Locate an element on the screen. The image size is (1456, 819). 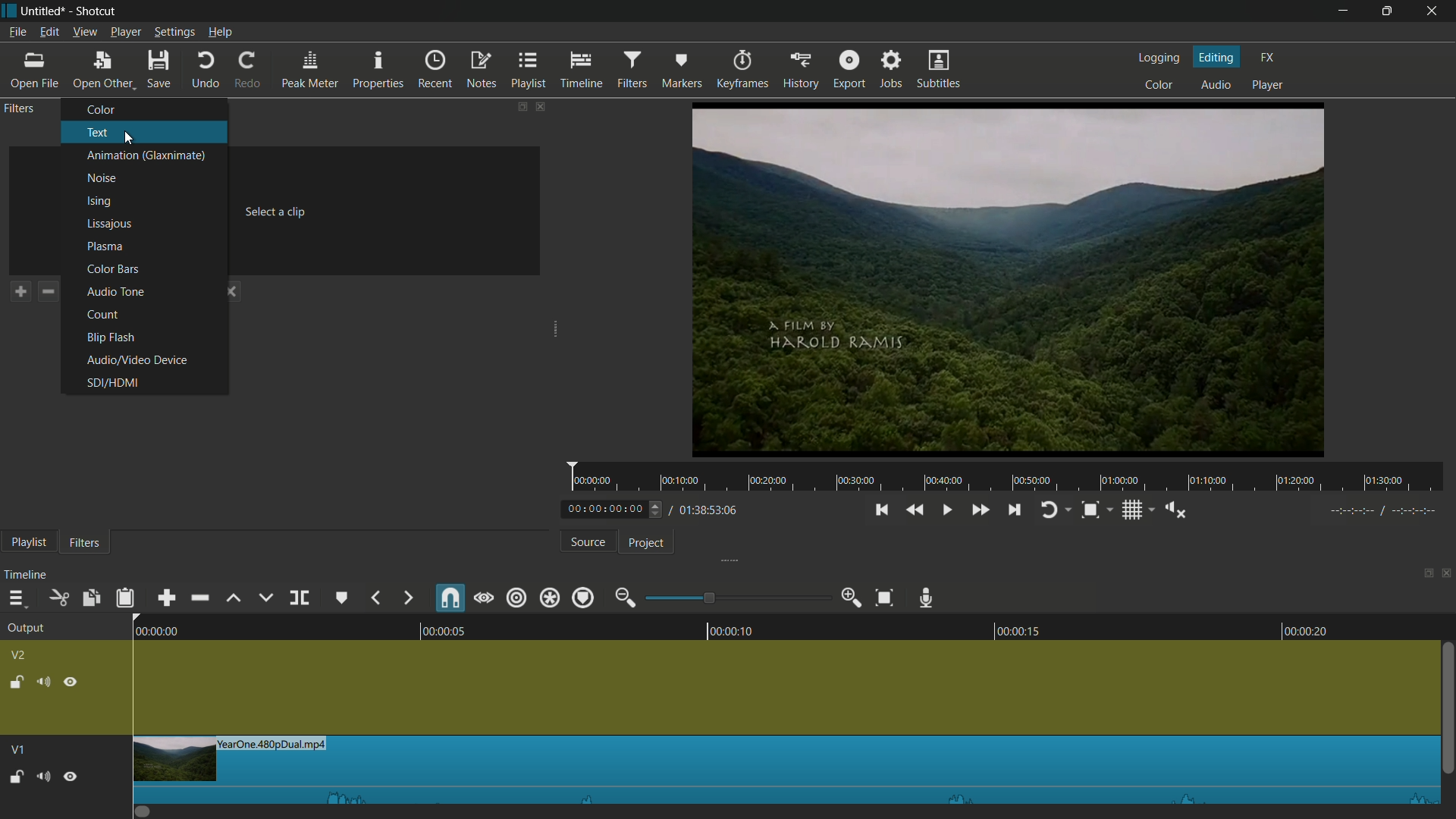
split at playhead is located at coordinates (299, 598).